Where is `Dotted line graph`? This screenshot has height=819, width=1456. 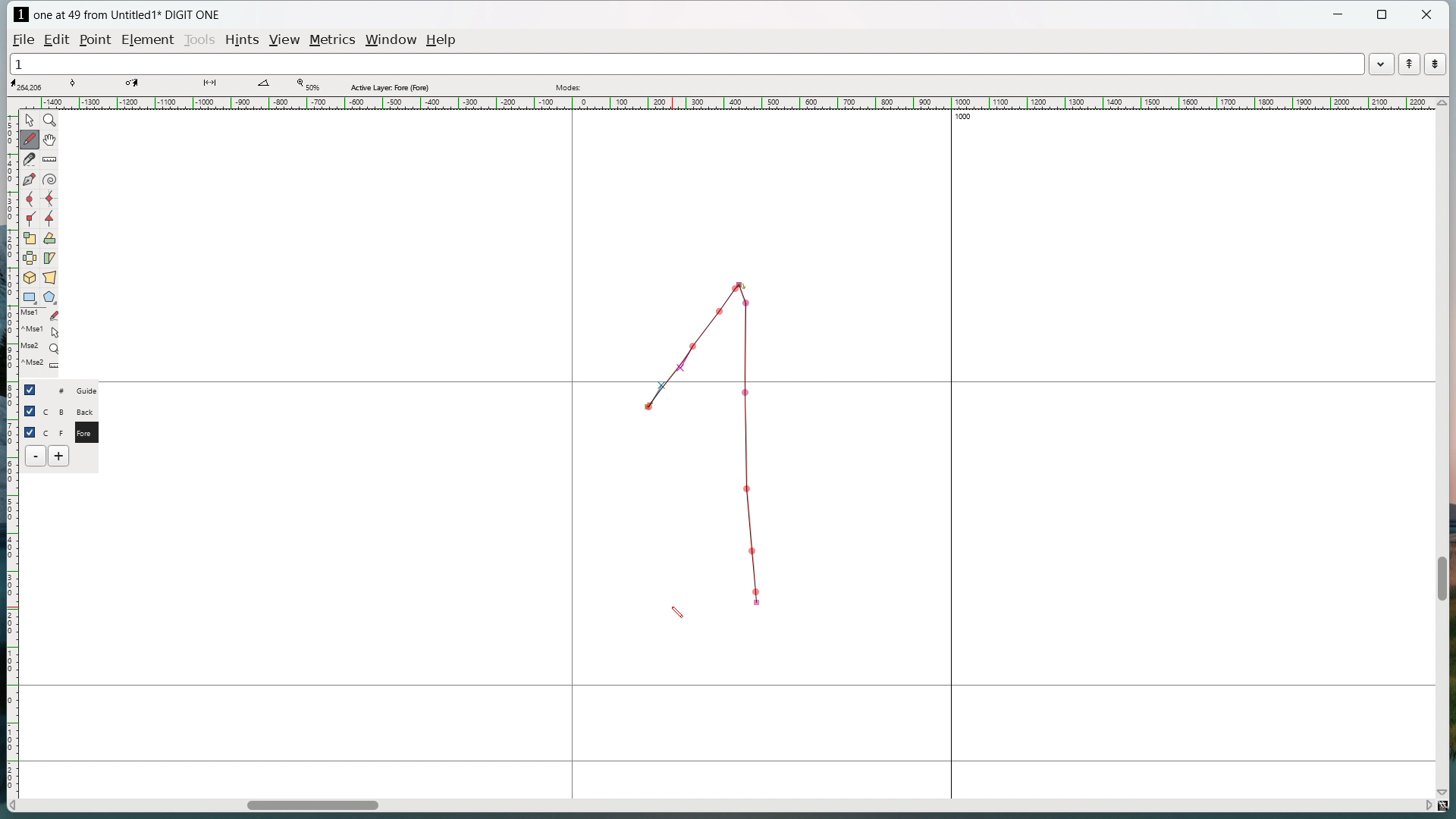
Dotted line graph is located at coordinates (714, 437).